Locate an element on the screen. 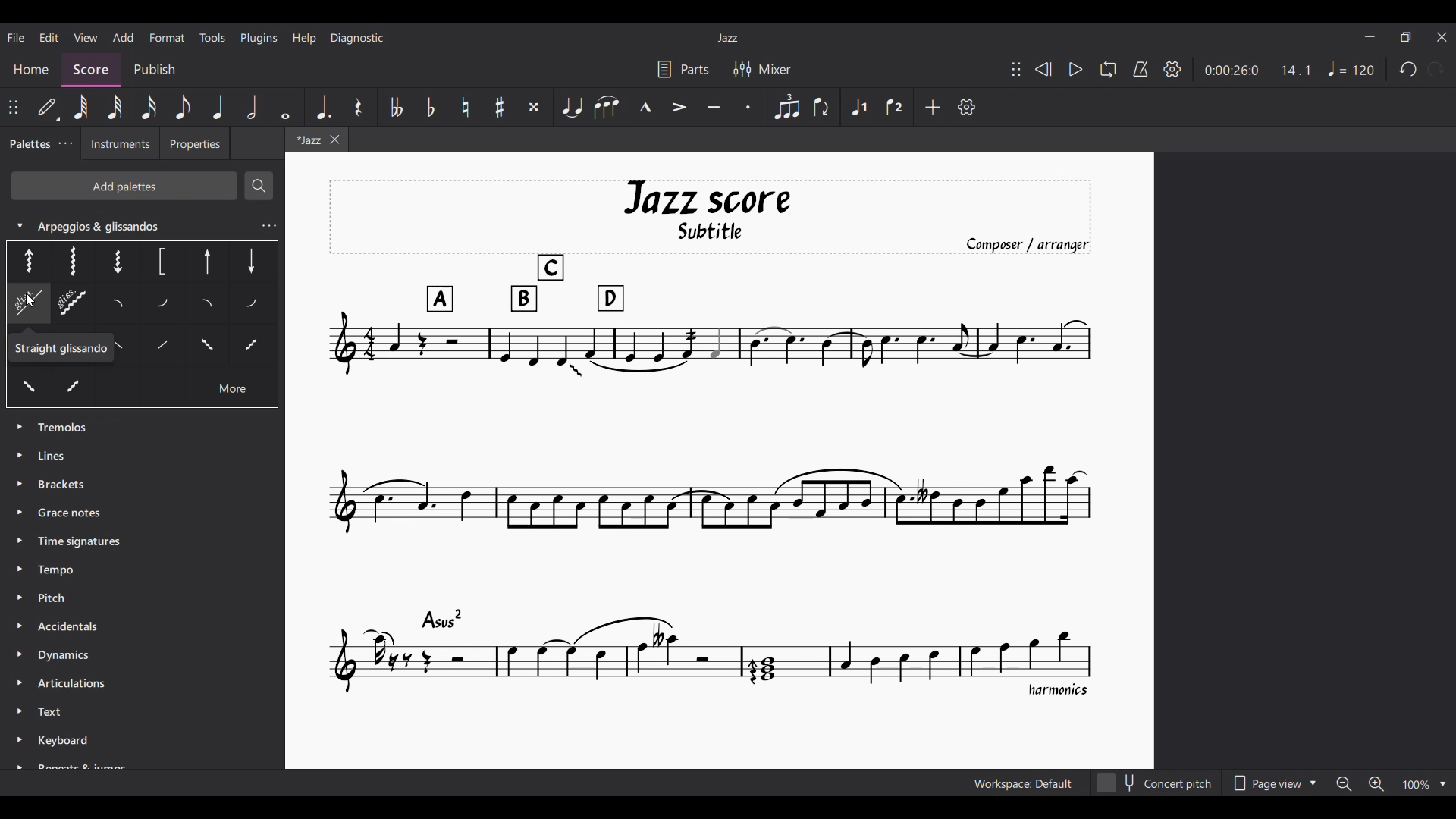 The image size is (1456, 819). Help menu is located at coordinates (305, 38).